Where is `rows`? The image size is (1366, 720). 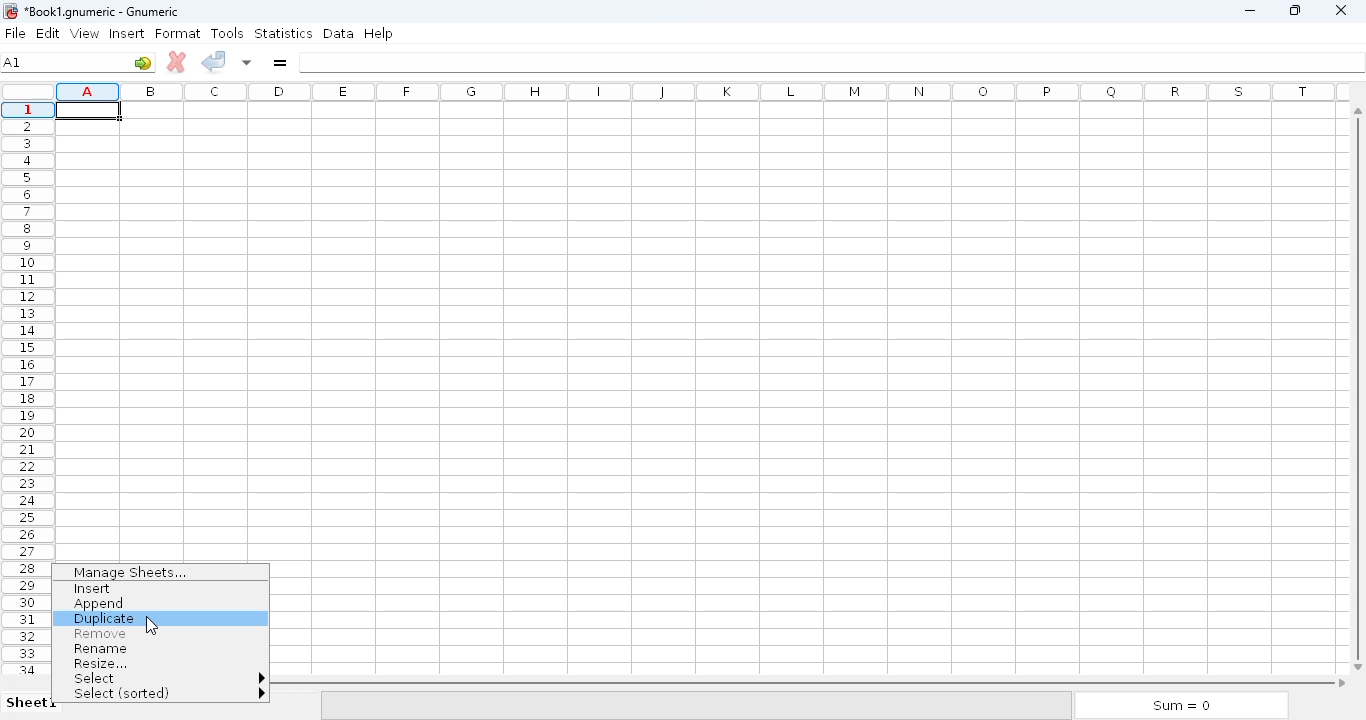 rows is located at coordinates (28, 387).